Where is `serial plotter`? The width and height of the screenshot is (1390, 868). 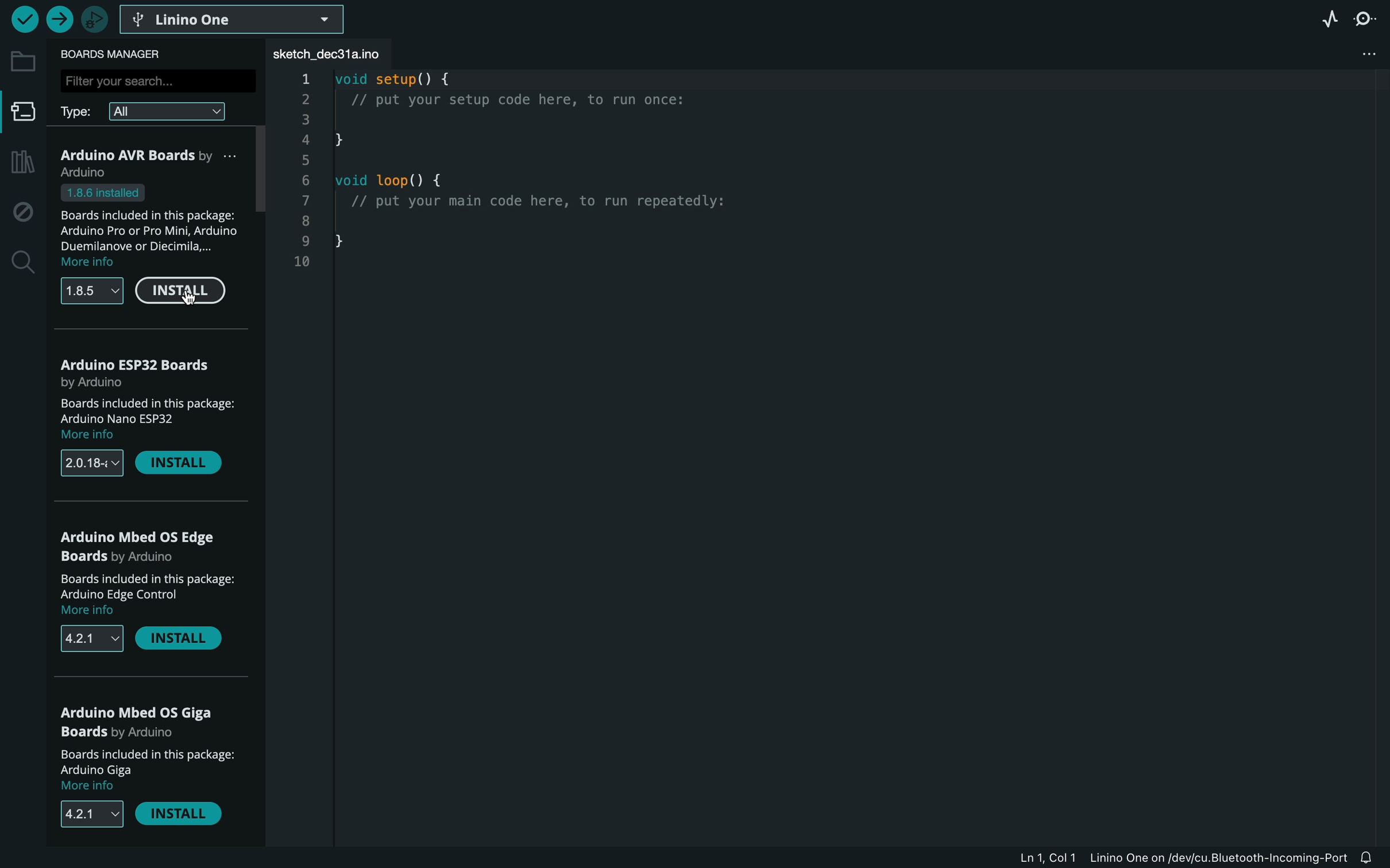
serial plotter is located at coordinates (1323, 18).